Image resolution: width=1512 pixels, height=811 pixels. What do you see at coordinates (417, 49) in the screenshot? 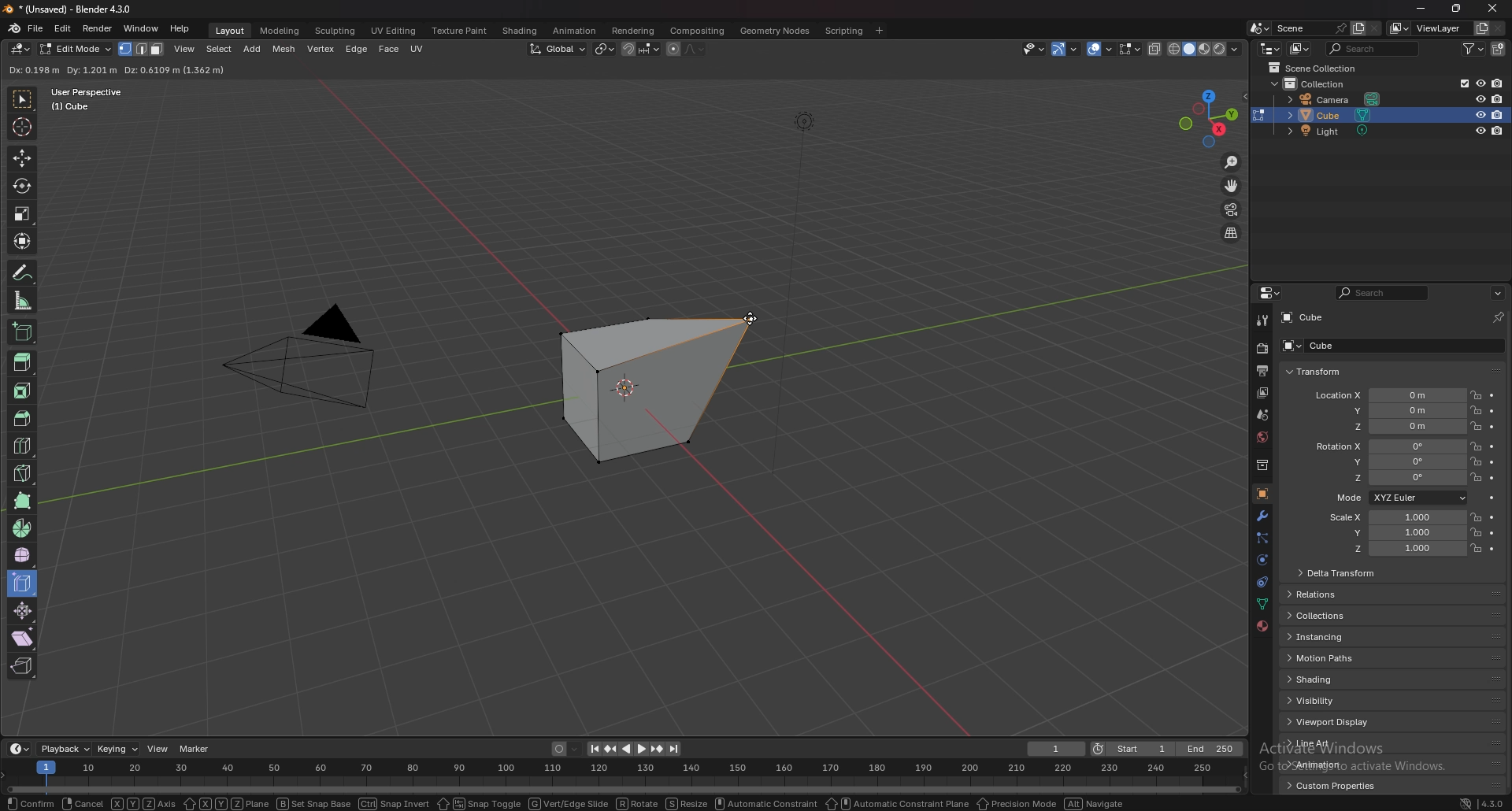
I see `uv` at bounding box center [417, 49].